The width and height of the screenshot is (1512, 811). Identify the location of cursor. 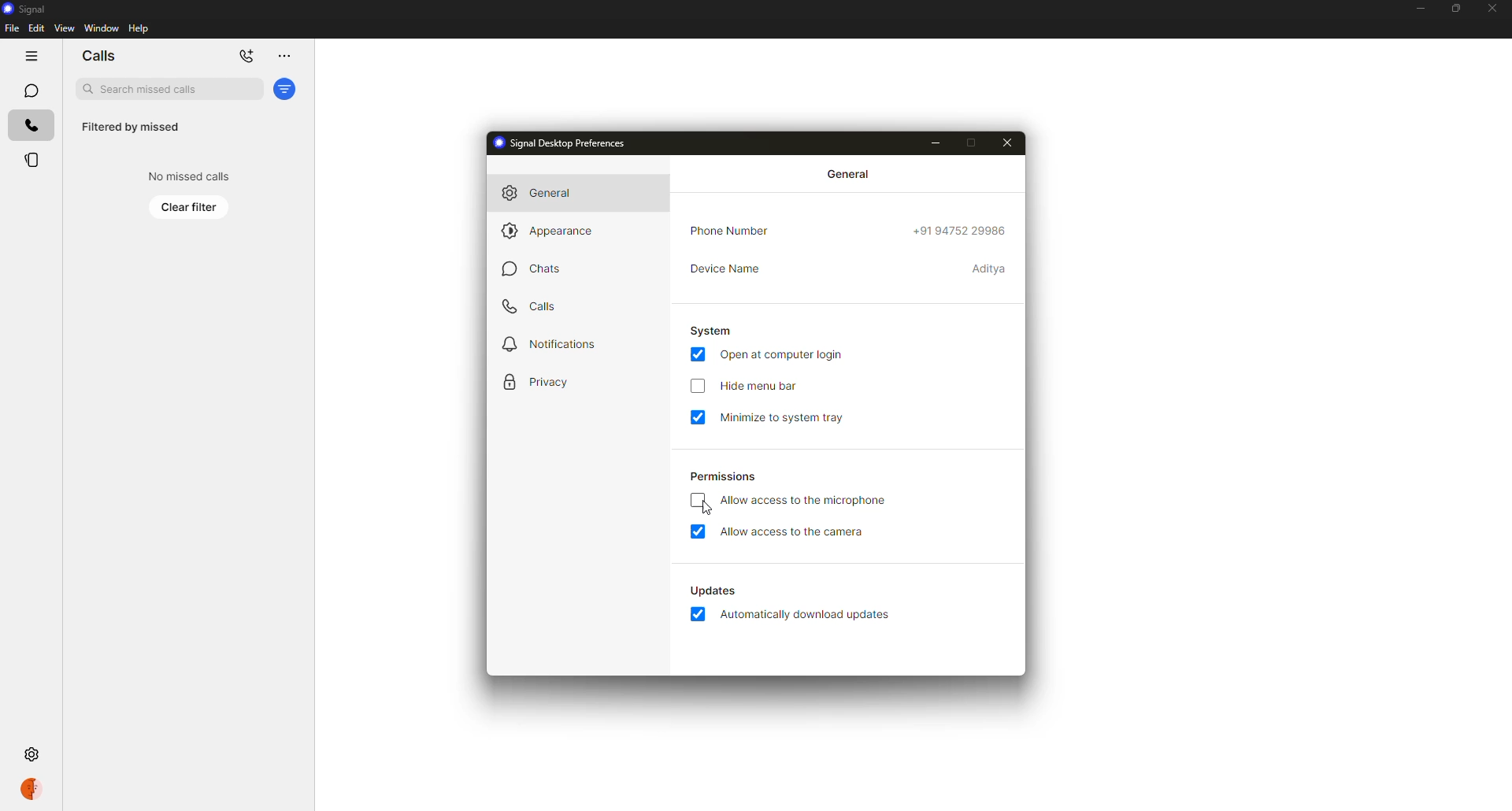
(707, 507).